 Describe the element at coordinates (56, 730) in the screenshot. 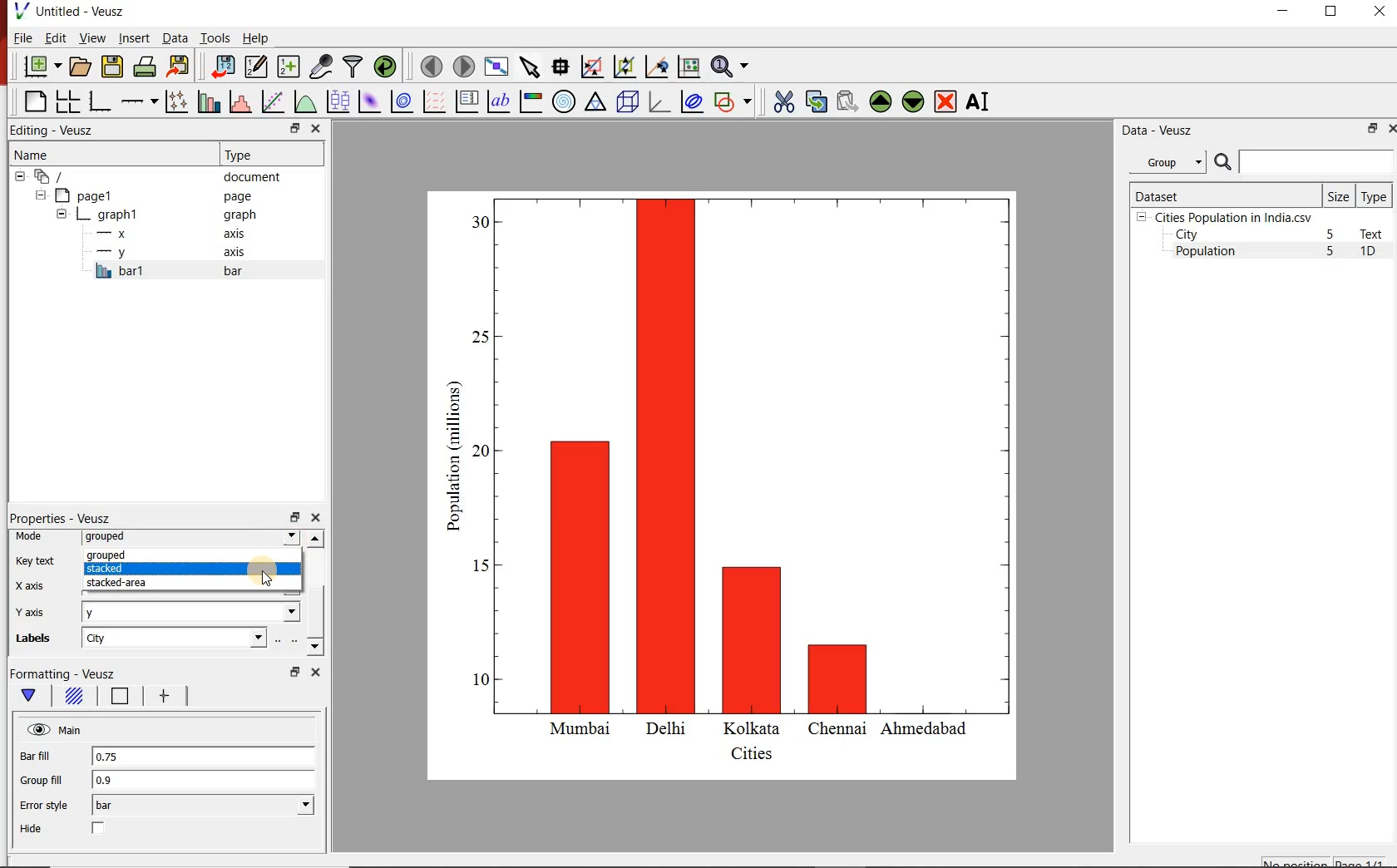

I see `Main` at that location.